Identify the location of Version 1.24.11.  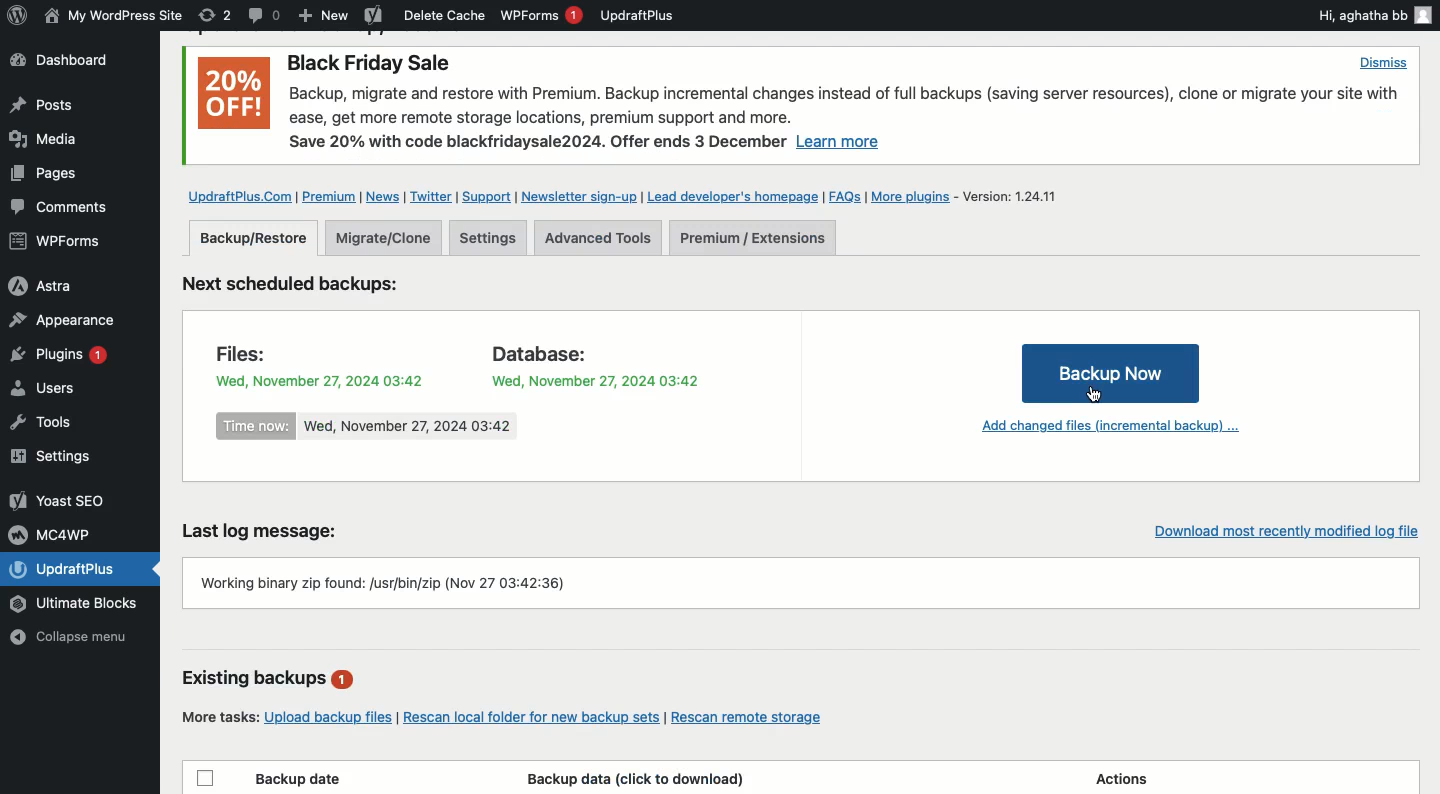
(1011, 196).